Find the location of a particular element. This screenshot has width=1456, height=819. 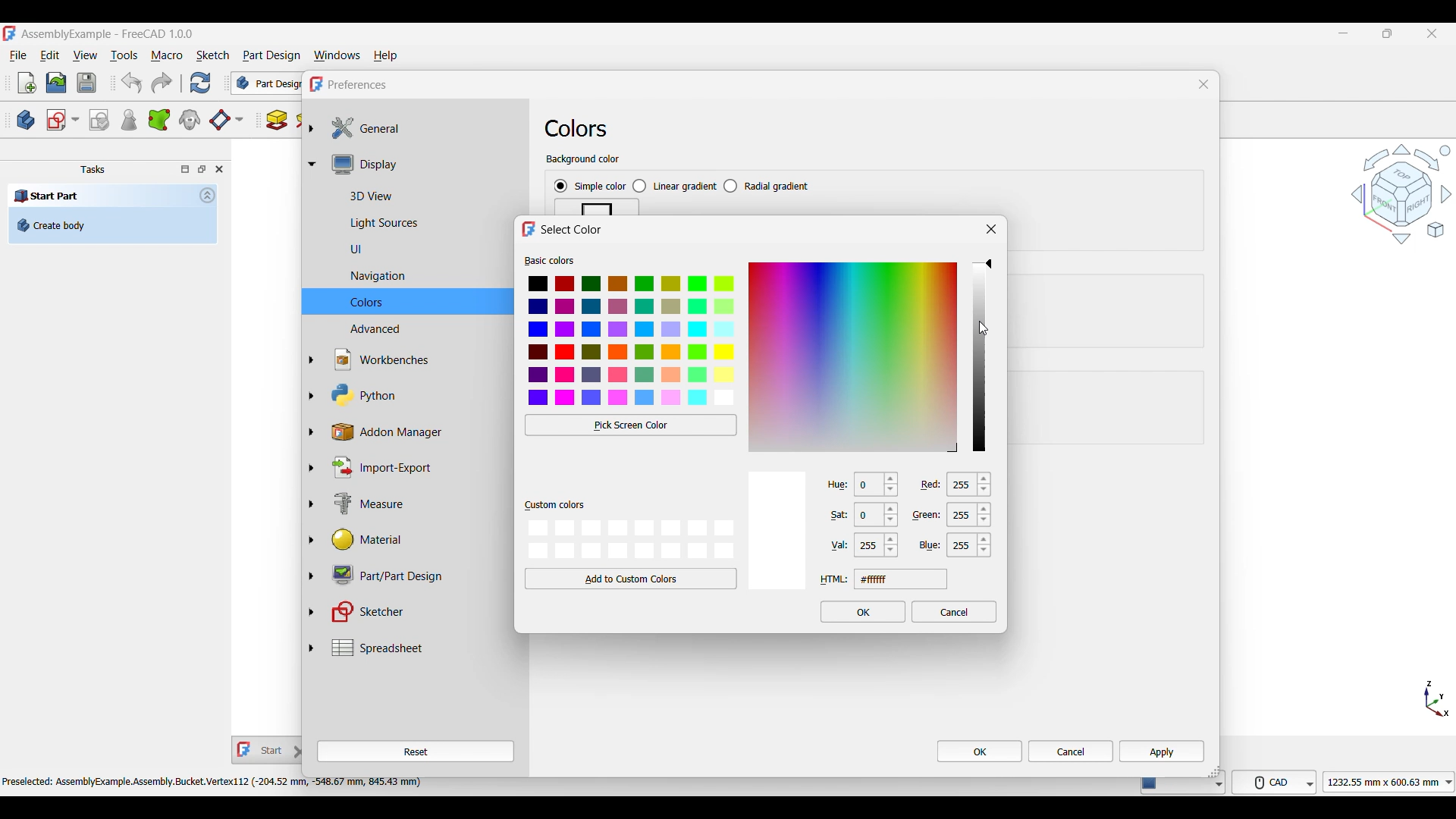

Cancel is located at coordinates (955, 611).